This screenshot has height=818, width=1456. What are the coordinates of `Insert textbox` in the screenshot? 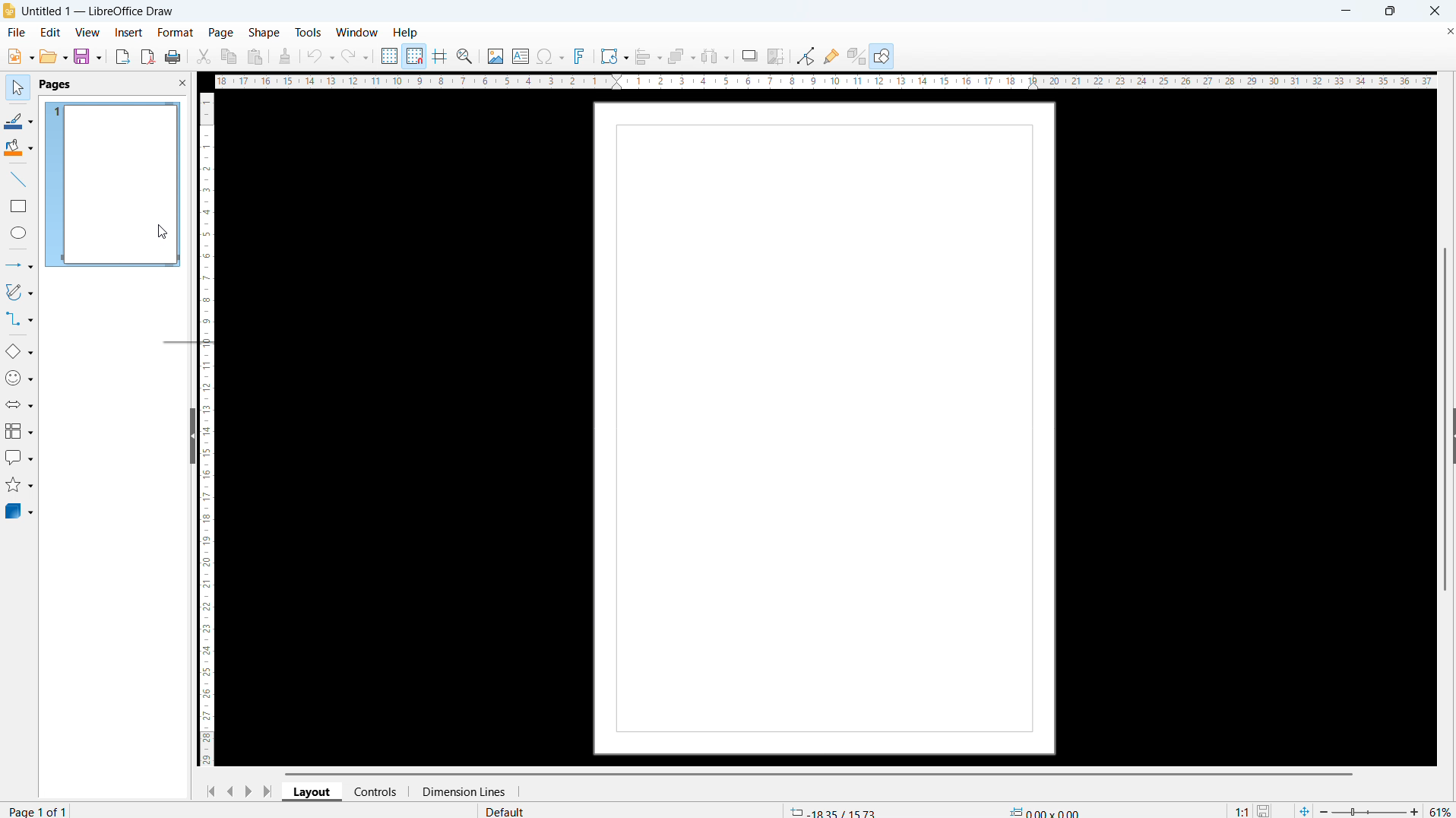 It's located at (521, 56).